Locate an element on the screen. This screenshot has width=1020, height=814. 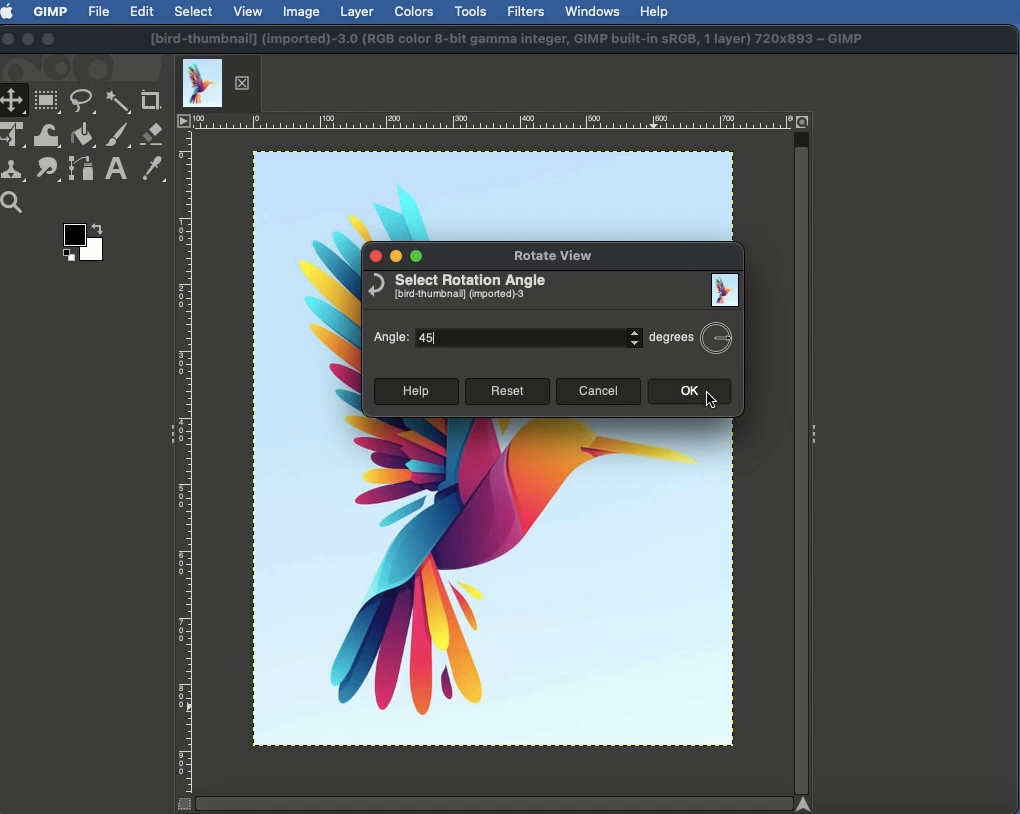
Smudge tool is located at coordinates (45, 169).